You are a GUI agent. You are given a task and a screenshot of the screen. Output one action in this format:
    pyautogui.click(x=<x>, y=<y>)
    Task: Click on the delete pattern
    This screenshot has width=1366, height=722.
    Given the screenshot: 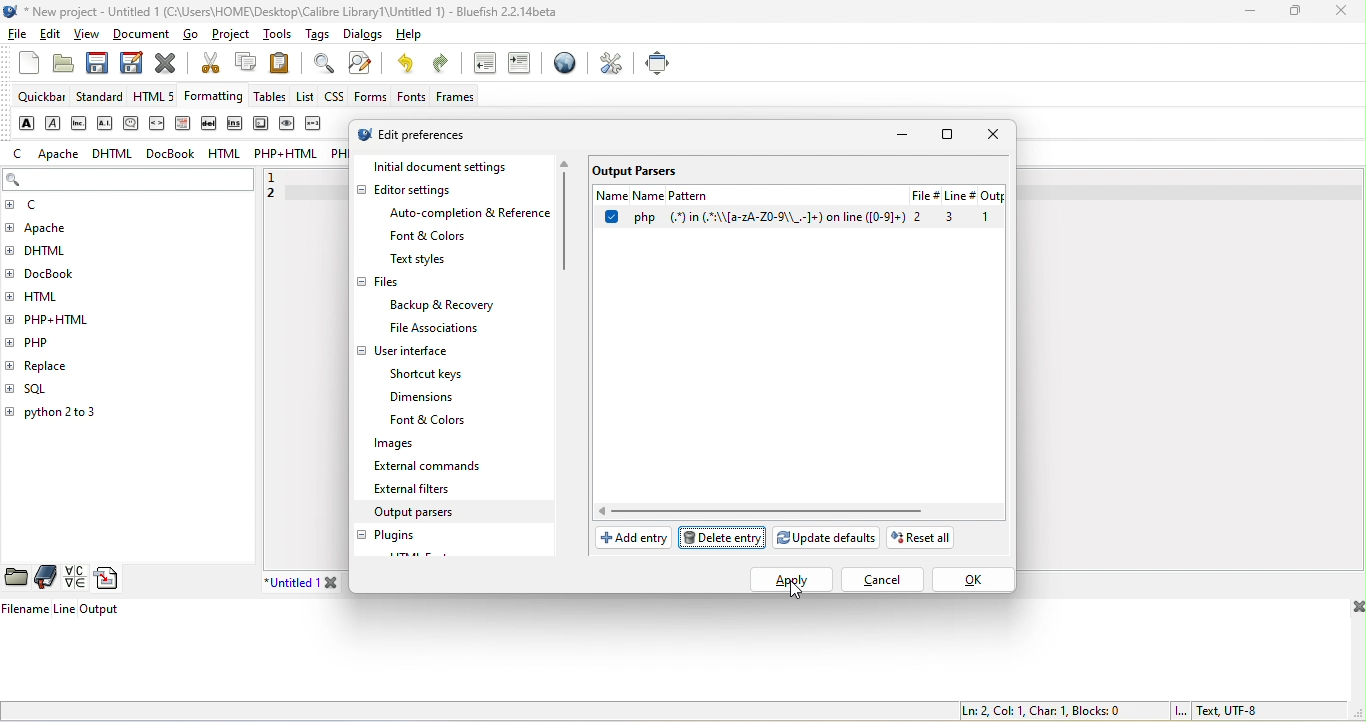 What is the action you would take?
    pyautogui.click(x=725, y=537)
    